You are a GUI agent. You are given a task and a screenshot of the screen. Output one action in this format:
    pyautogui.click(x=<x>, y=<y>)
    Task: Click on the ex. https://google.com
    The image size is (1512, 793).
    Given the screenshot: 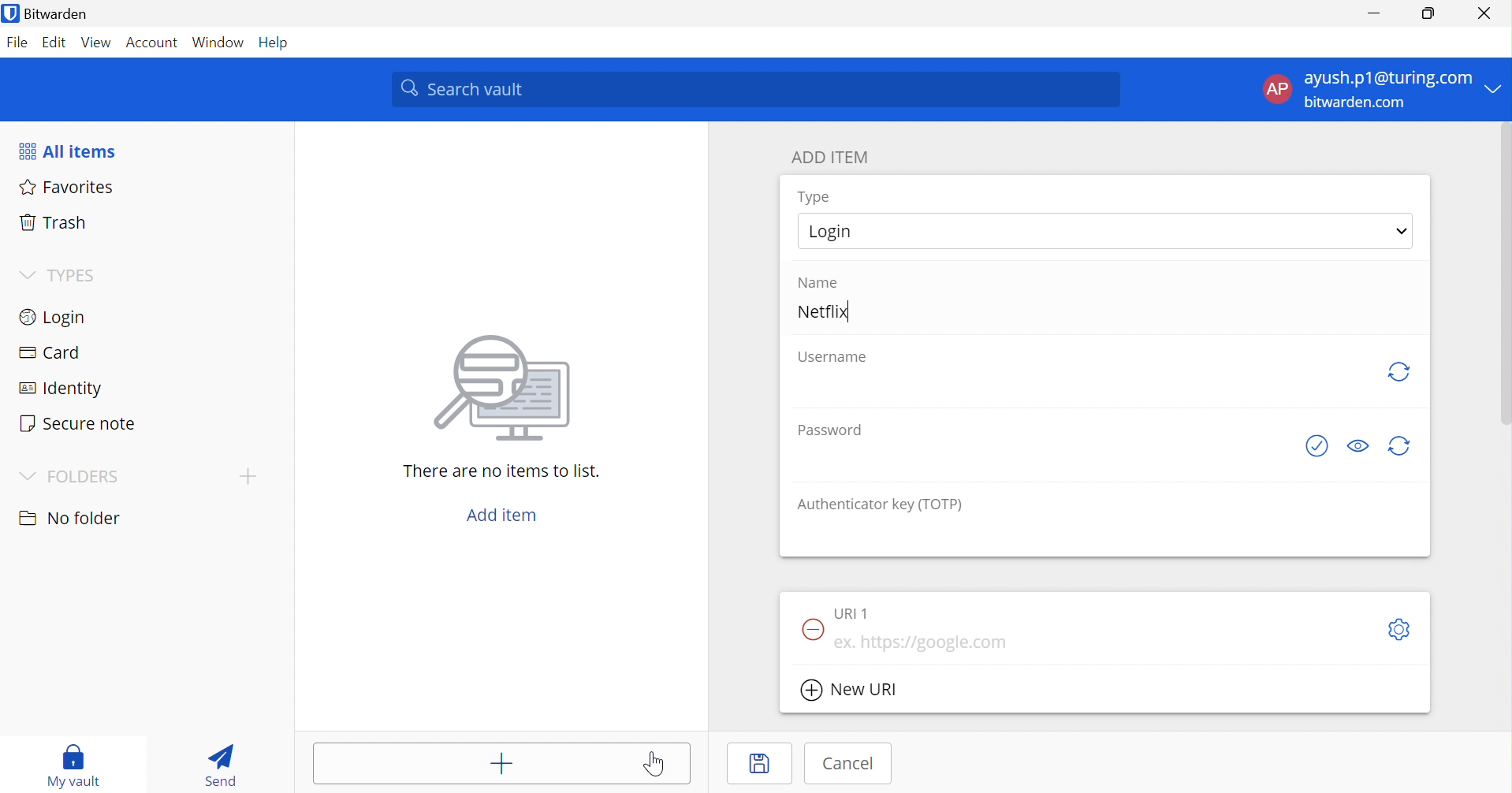 What is the action you would take?
    pyautogui.click(x=923, y=642)
    